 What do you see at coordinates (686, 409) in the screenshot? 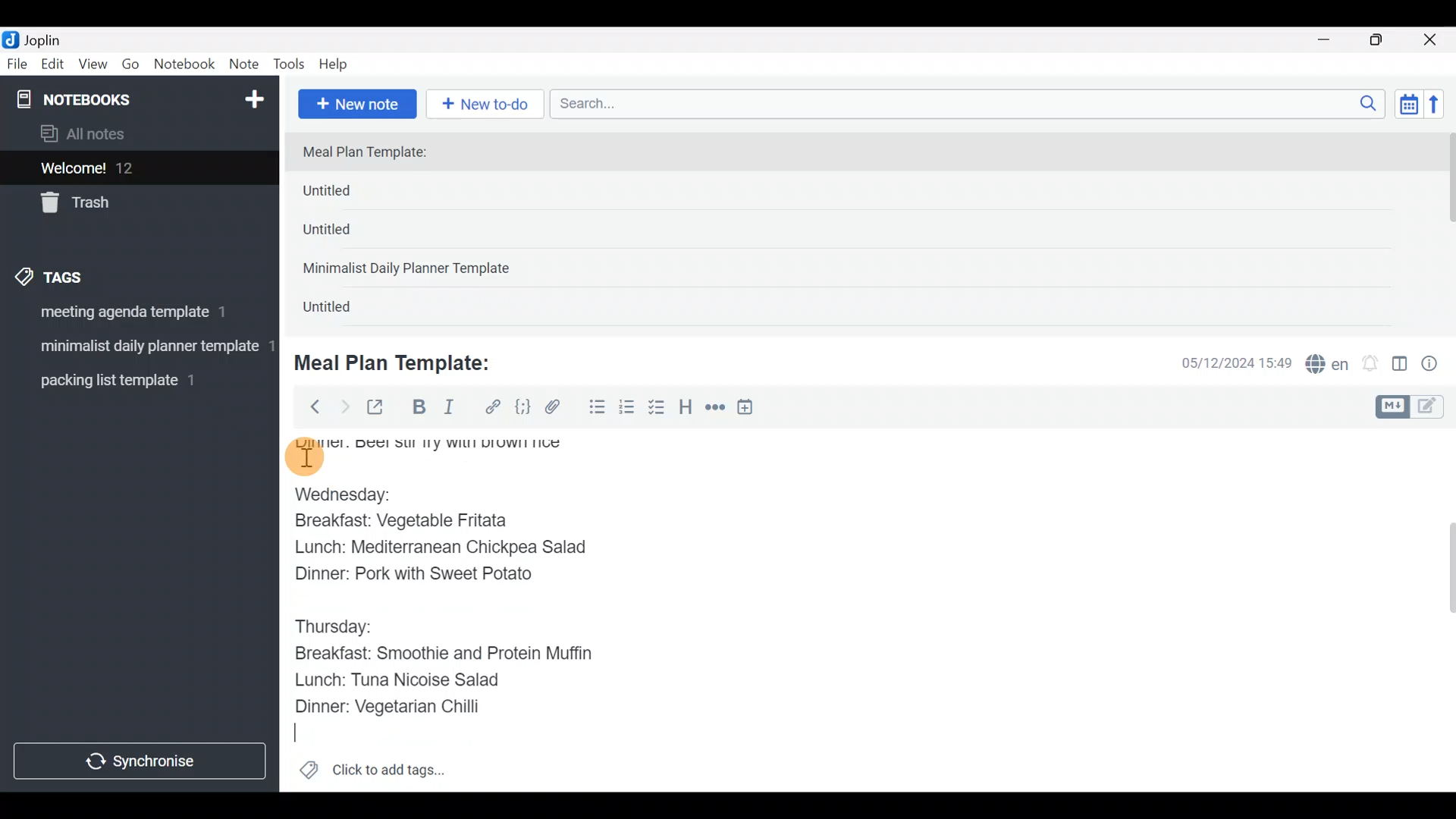
I see `Heading` at bounding box center [686, 409].